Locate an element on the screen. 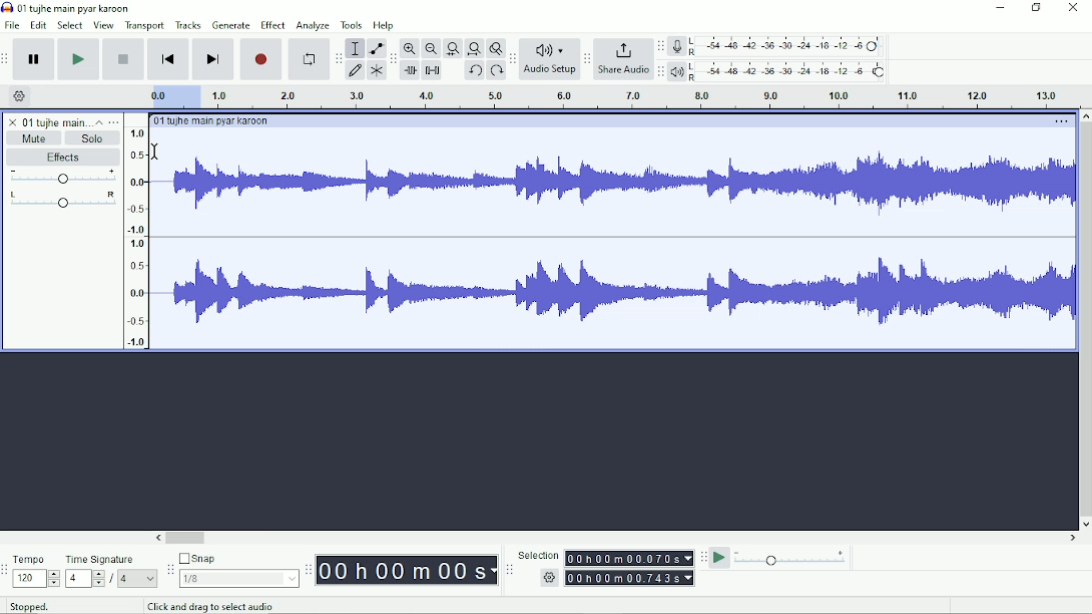 The width and height of the screenshot is (1092, 614). Zoom Out is located at coordinates (431, 49).